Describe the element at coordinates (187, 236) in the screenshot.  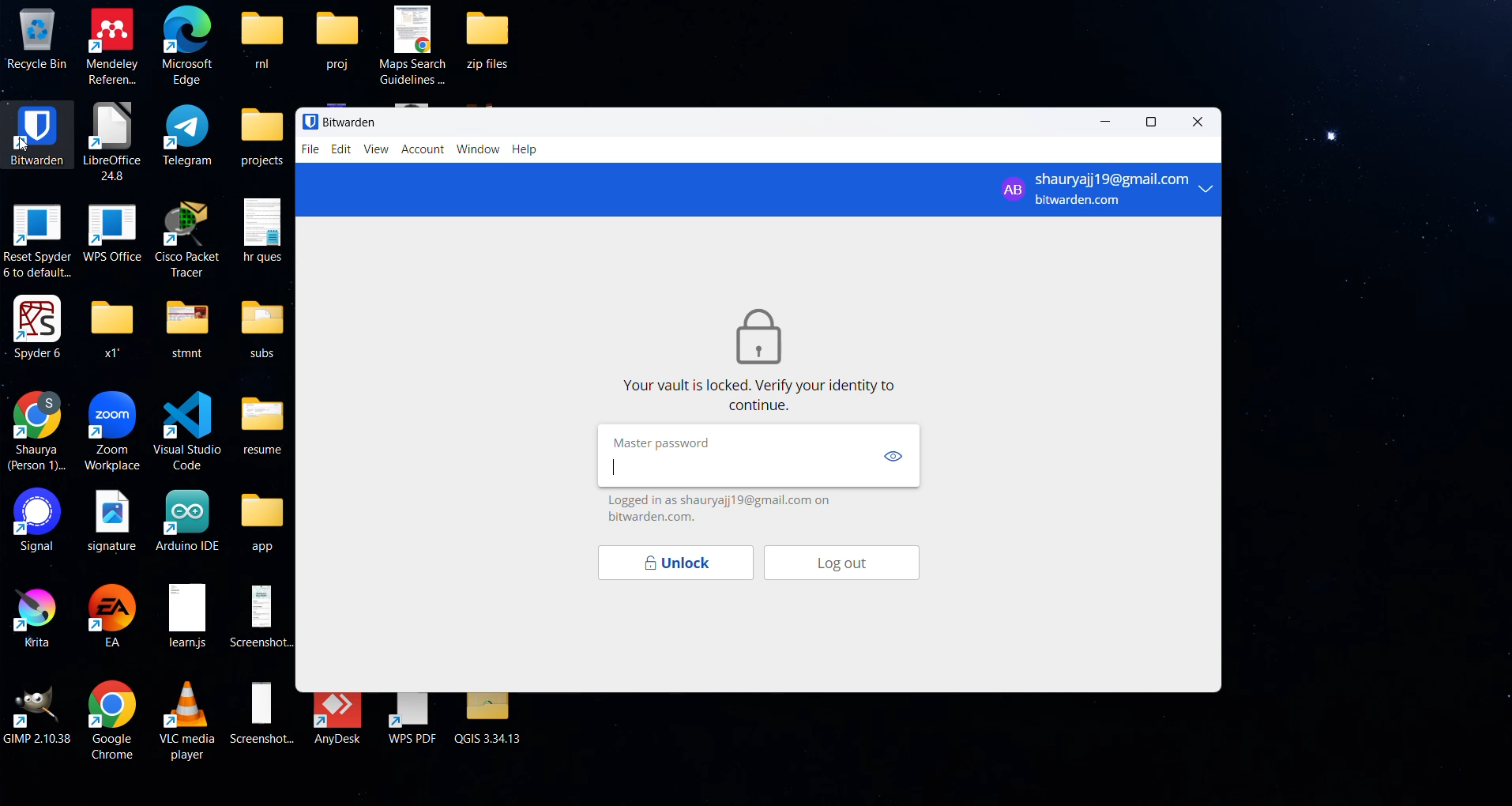
I see `Cisco Packet Tracer` at that location.